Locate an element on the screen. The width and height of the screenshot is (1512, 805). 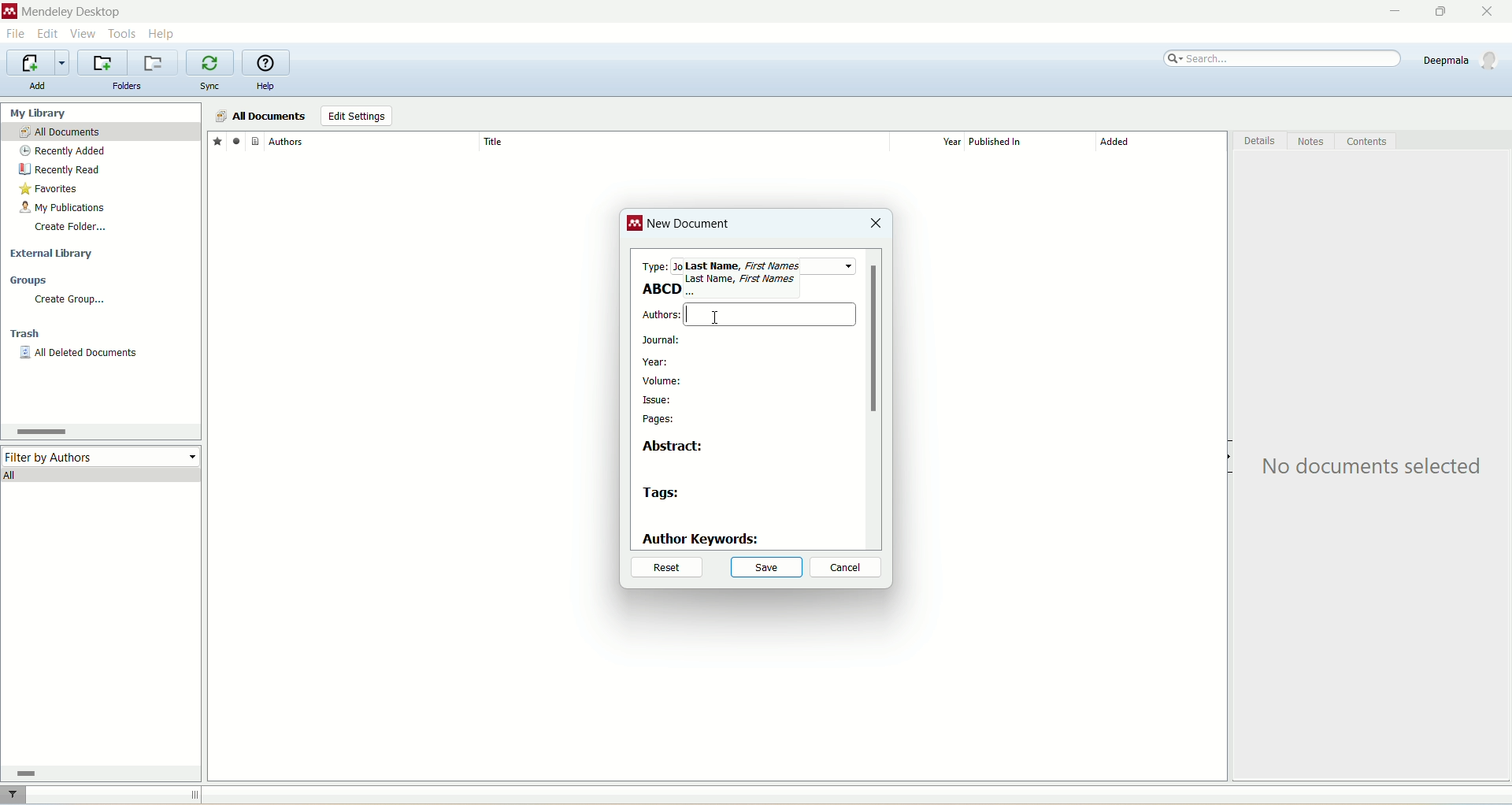
edit is located at coordinates (46, 34).